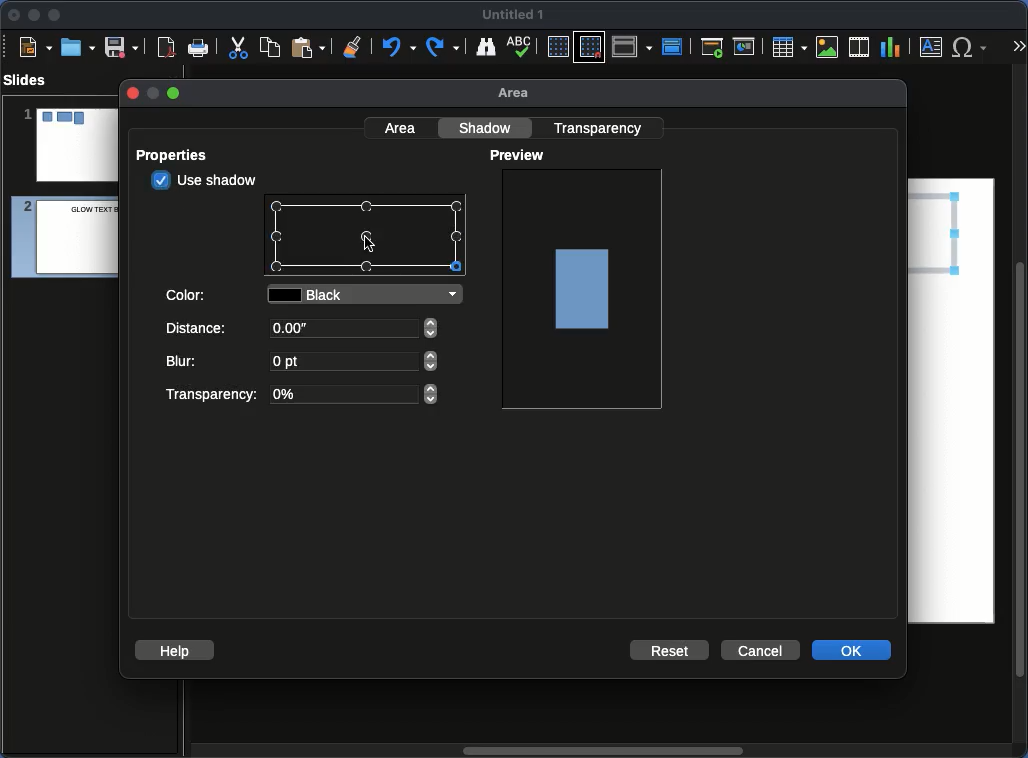 The width and height of the screenshot is (1028, 758). Describe the element at coordinates (853, 649) in the screenshot. I see `OK` at that location.